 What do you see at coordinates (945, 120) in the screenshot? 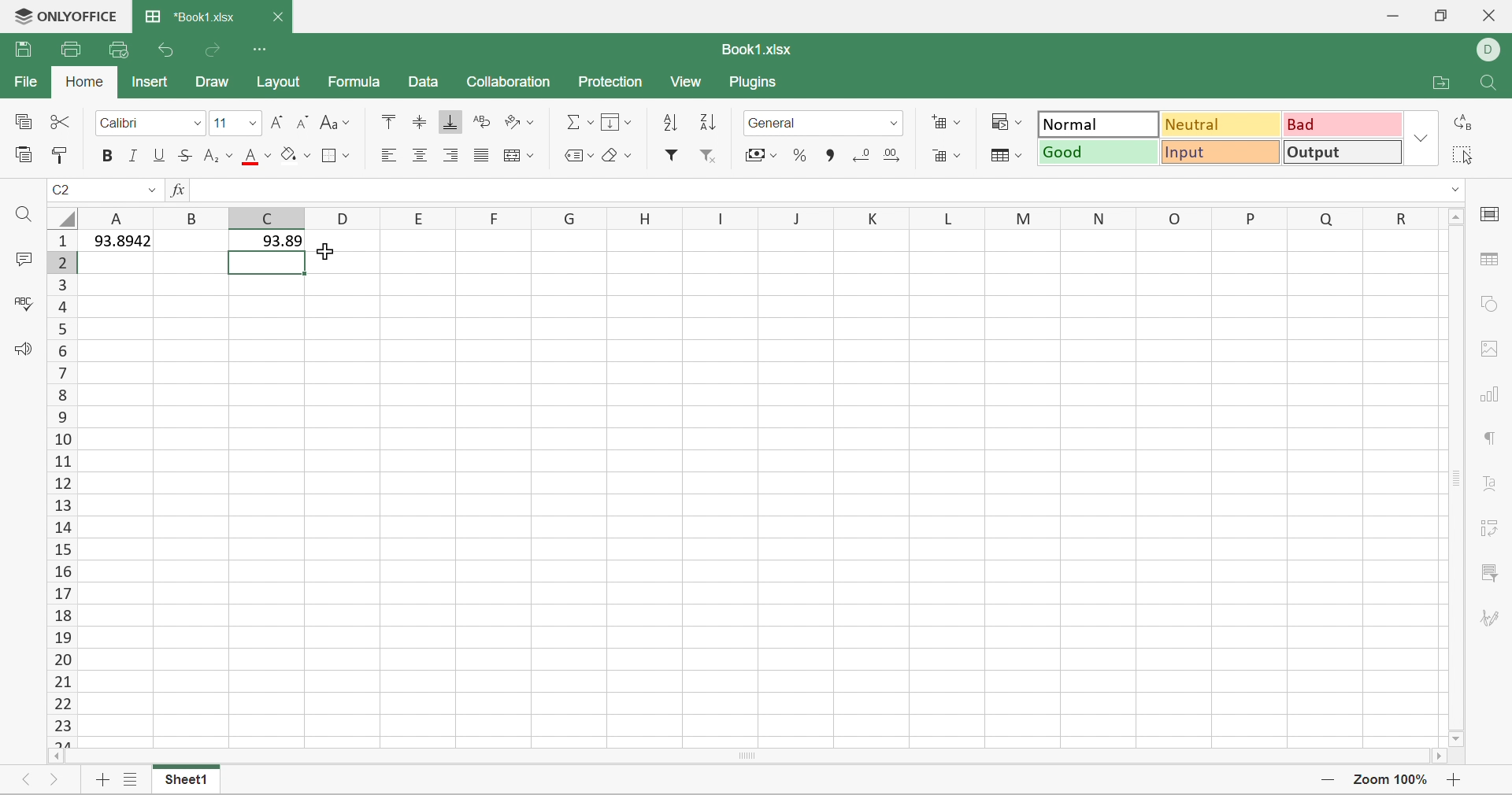
I see `Insert cells` at bounding box center [945, 120].